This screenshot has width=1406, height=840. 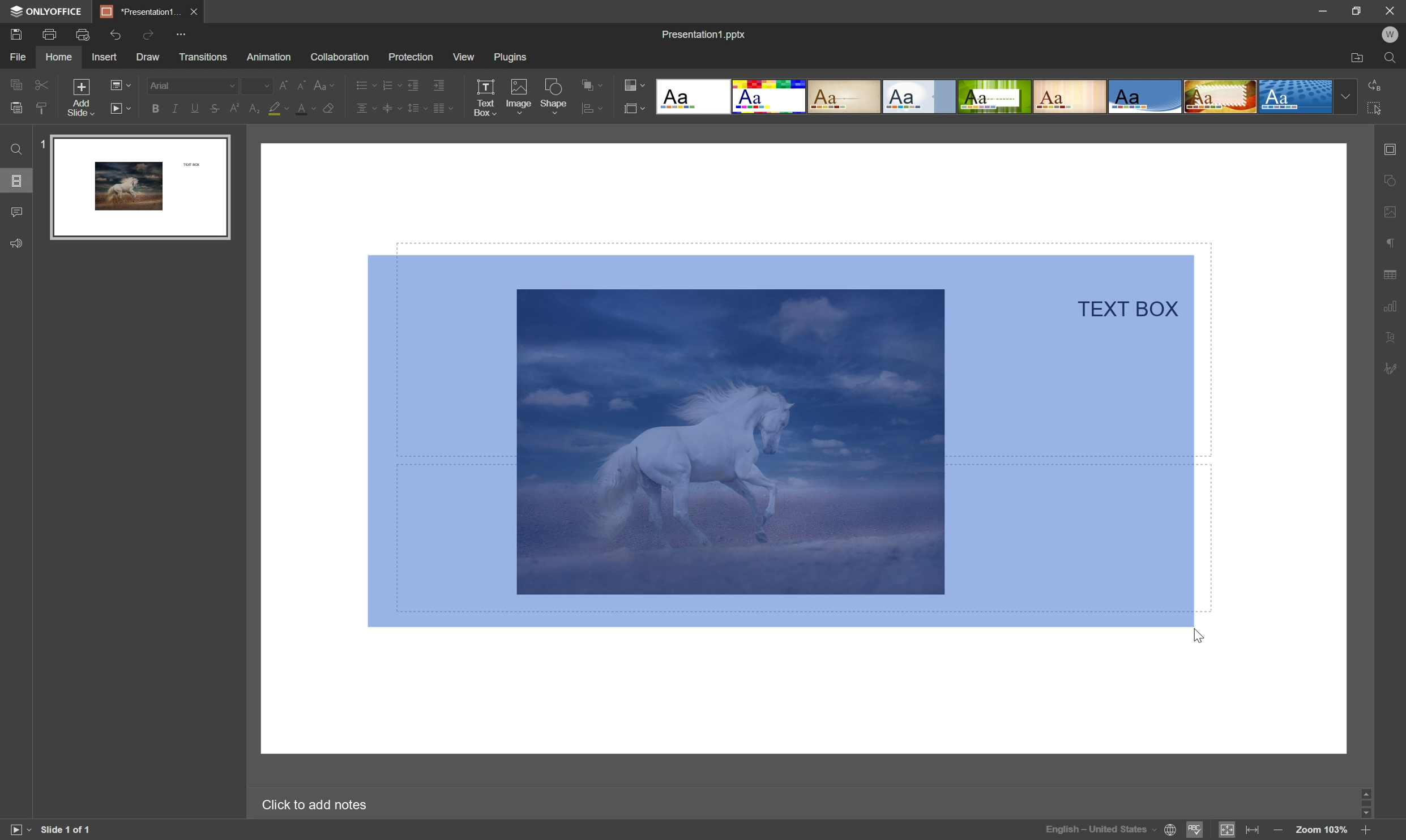 I want to click on vertical align, so click(x=392, y=108).